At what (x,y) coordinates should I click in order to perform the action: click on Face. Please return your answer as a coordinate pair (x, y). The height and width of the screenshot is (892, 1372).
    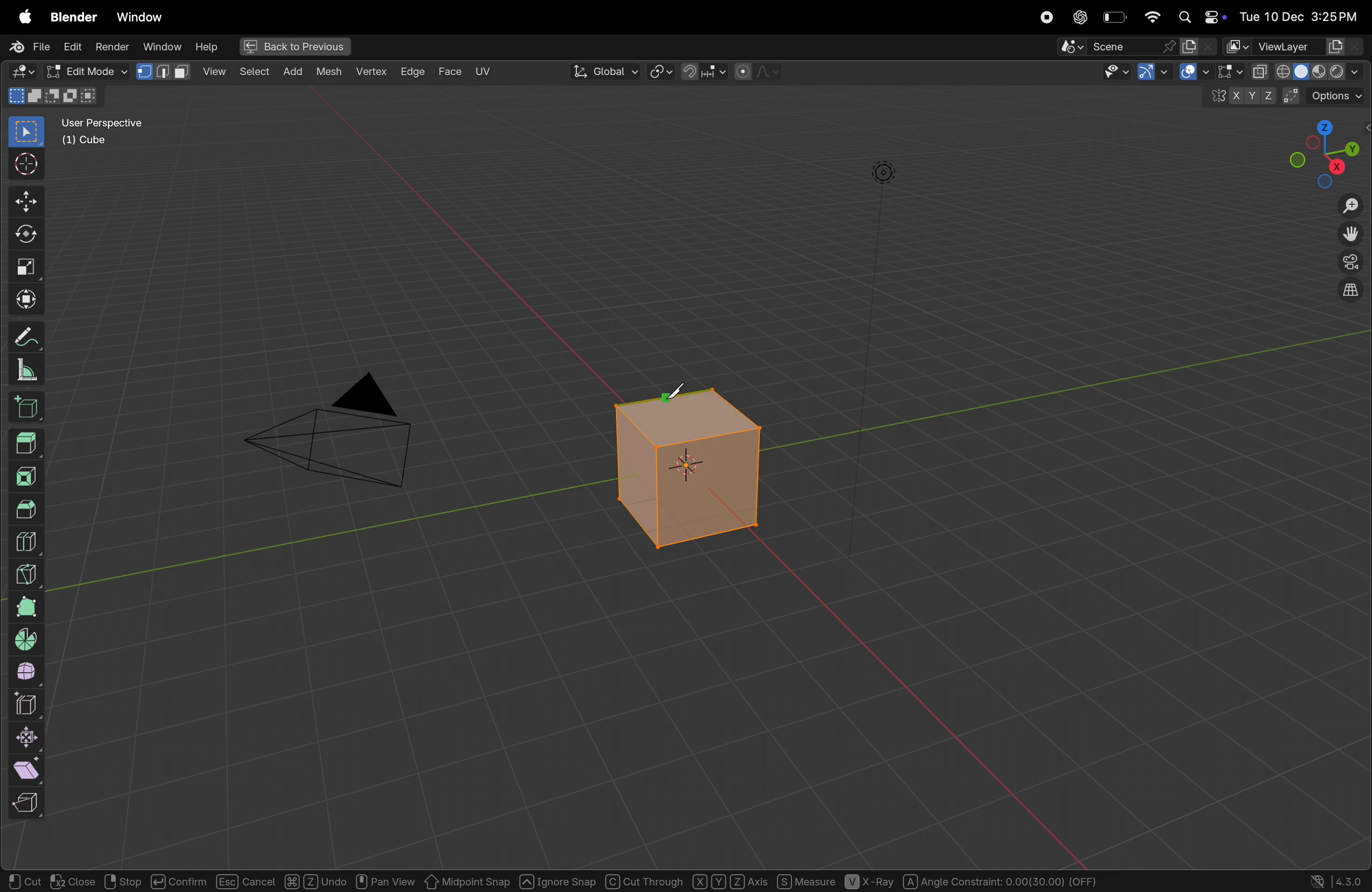
    Looking at the image, I should click on (451, 71).